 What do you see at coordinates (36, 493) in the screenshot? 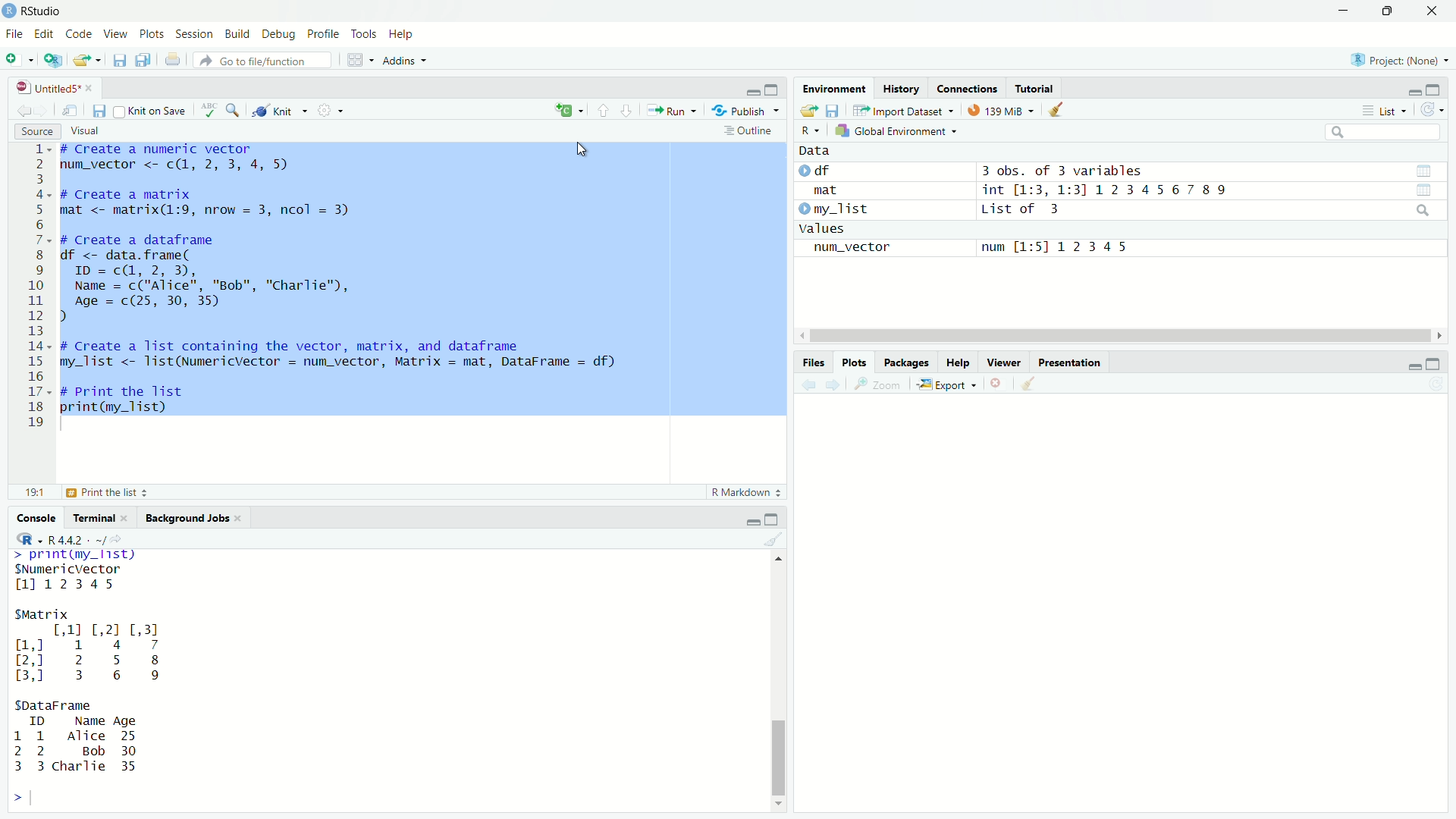
I see `19:1` at bounding box center [36, 493].